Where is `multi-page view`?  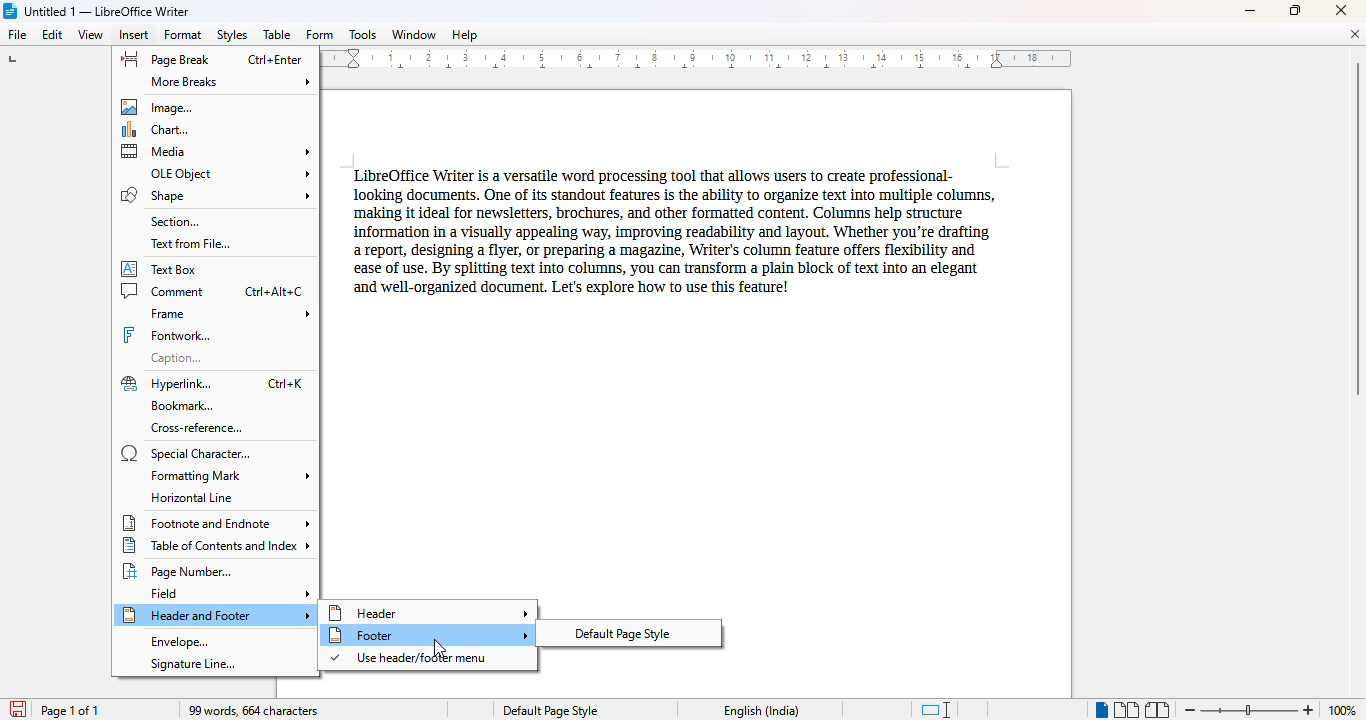 multi-page view is located at coordinates (1126, 710).